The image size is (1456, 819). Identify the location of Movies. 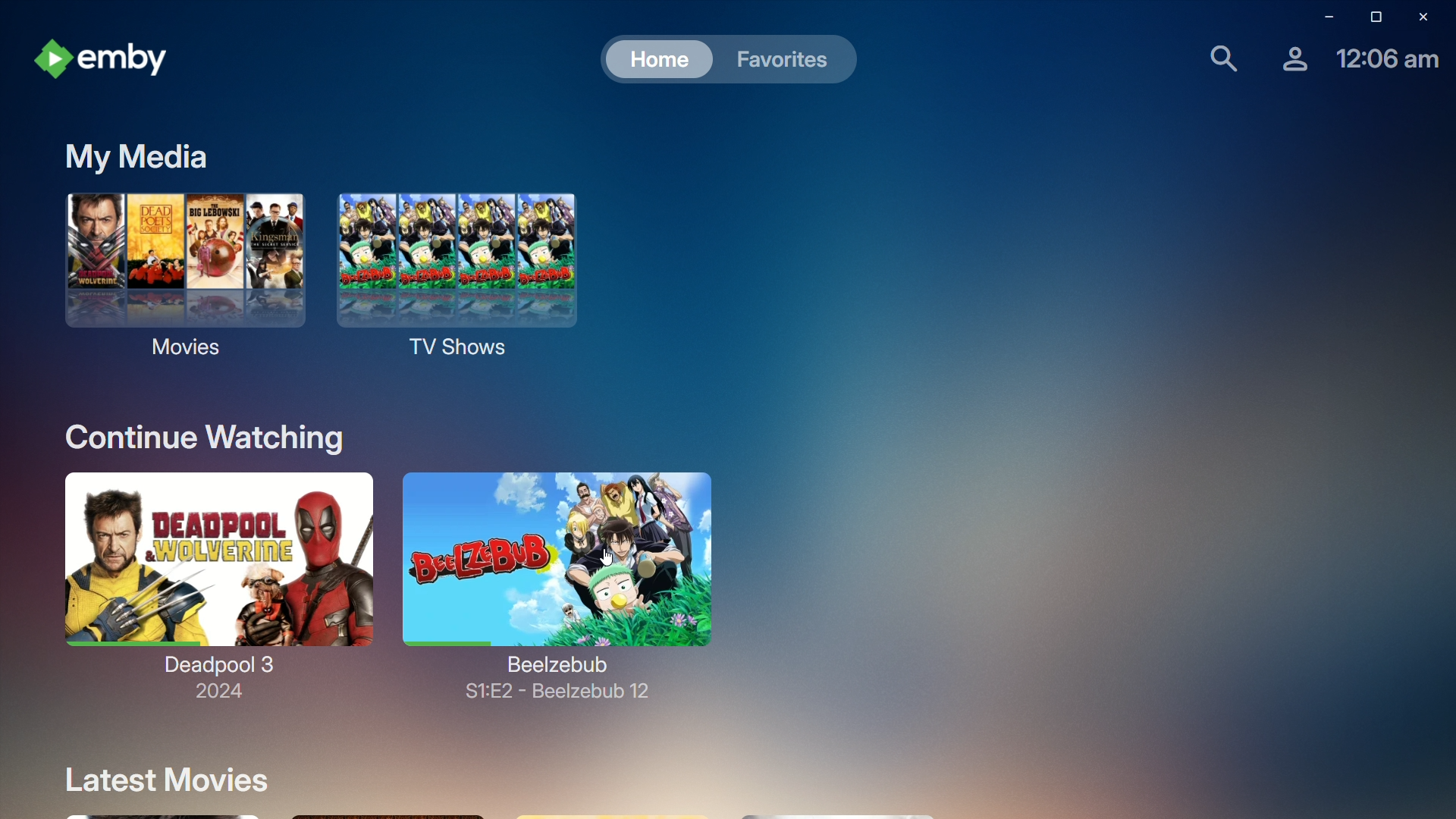
(179, 277).